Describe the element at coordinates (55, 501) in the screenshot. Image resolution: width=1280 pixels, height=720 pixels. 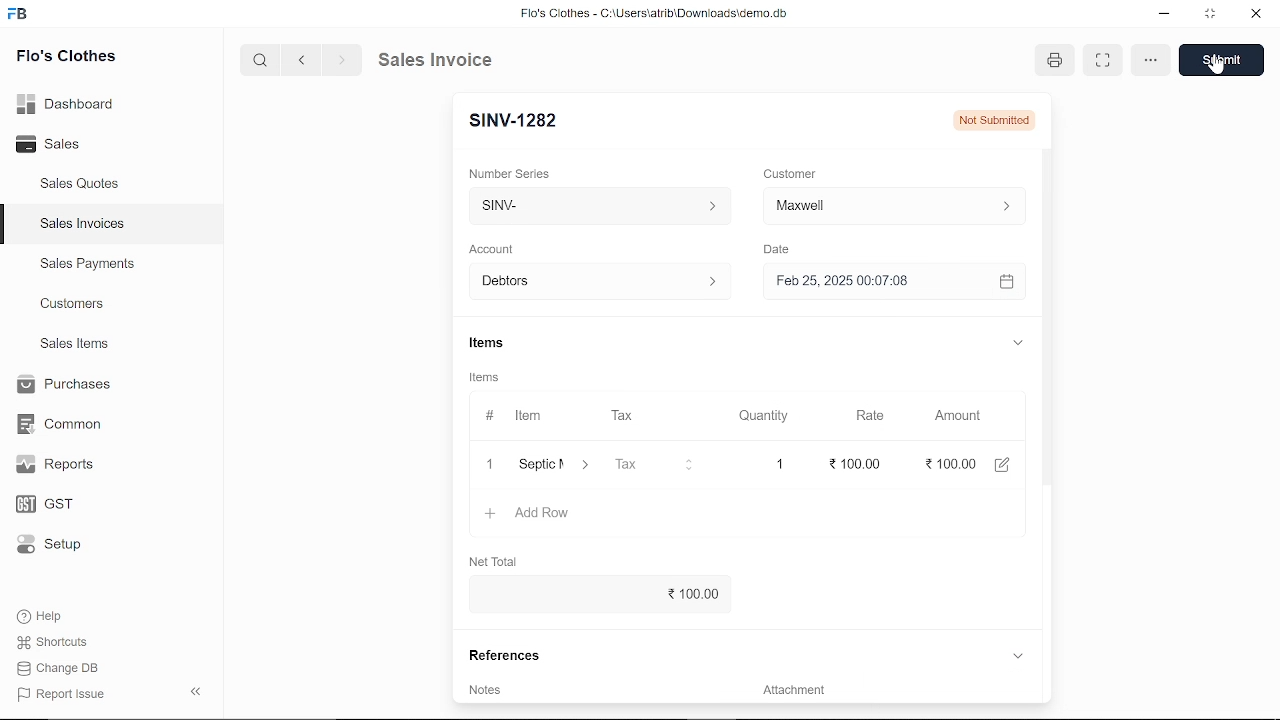
I see `GST` at that location.